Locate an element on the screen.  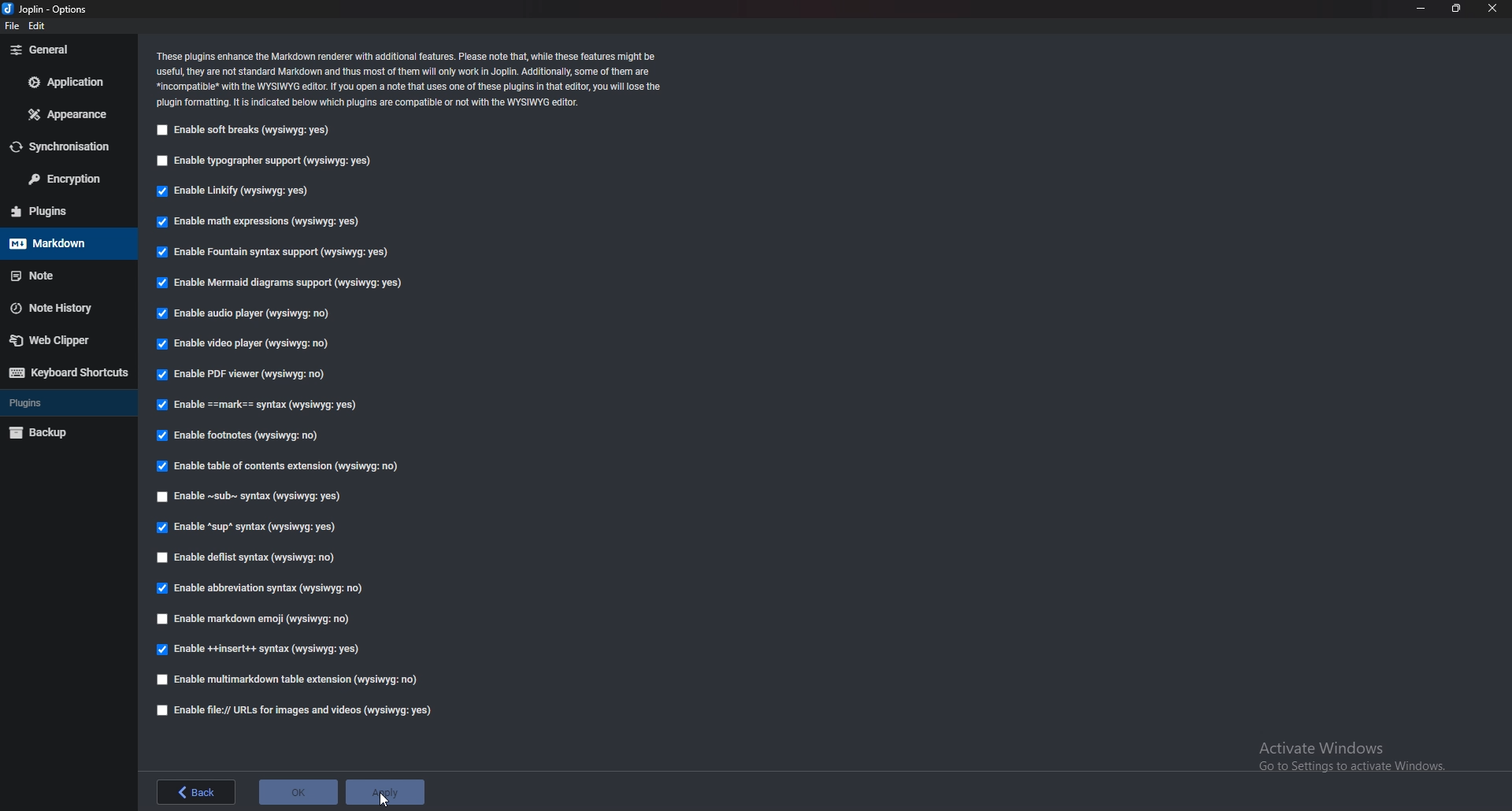
Enable typographer support is located at coordinates (268, 162).